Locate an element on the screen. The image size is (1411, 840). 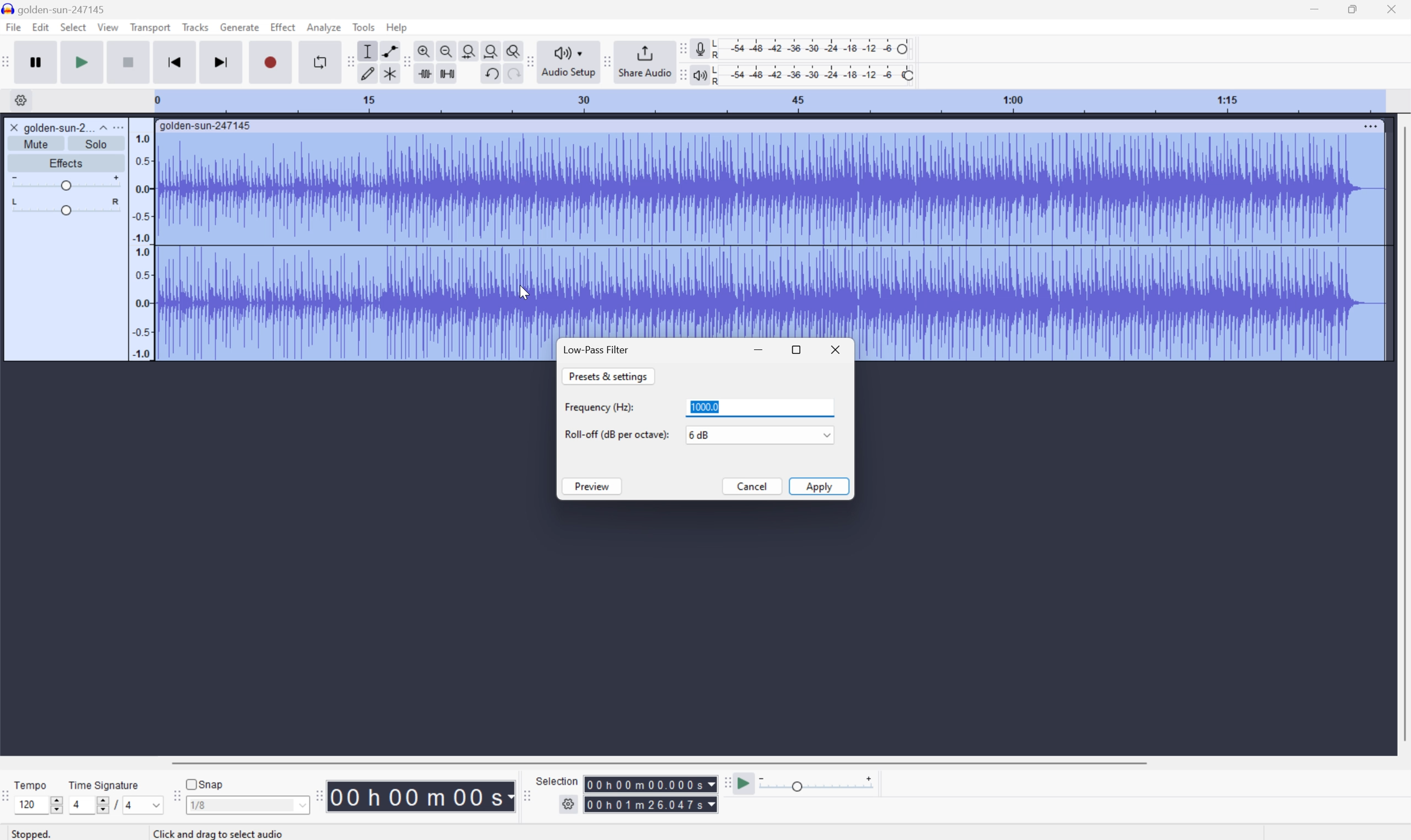
Audacity recording meter toolbar is located at coordinates (680, 49).